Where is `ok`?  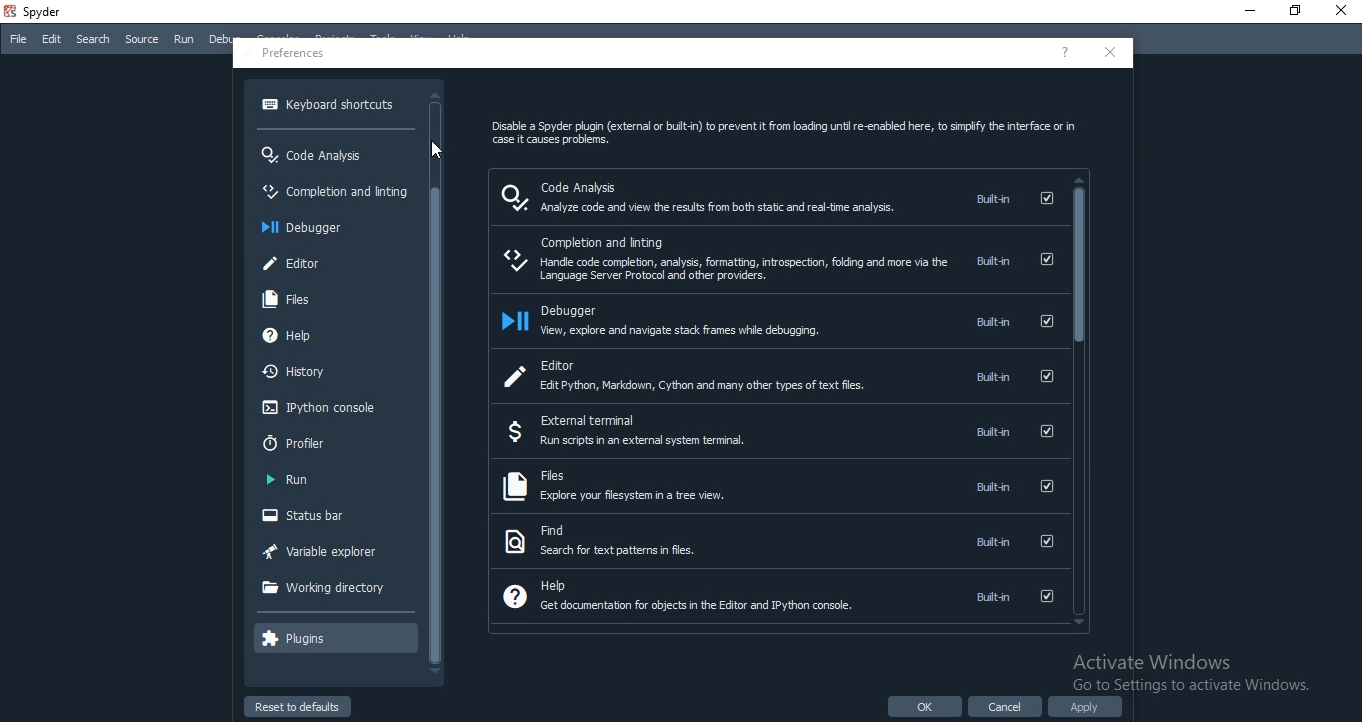 ok is located at coordinates (926, 708).